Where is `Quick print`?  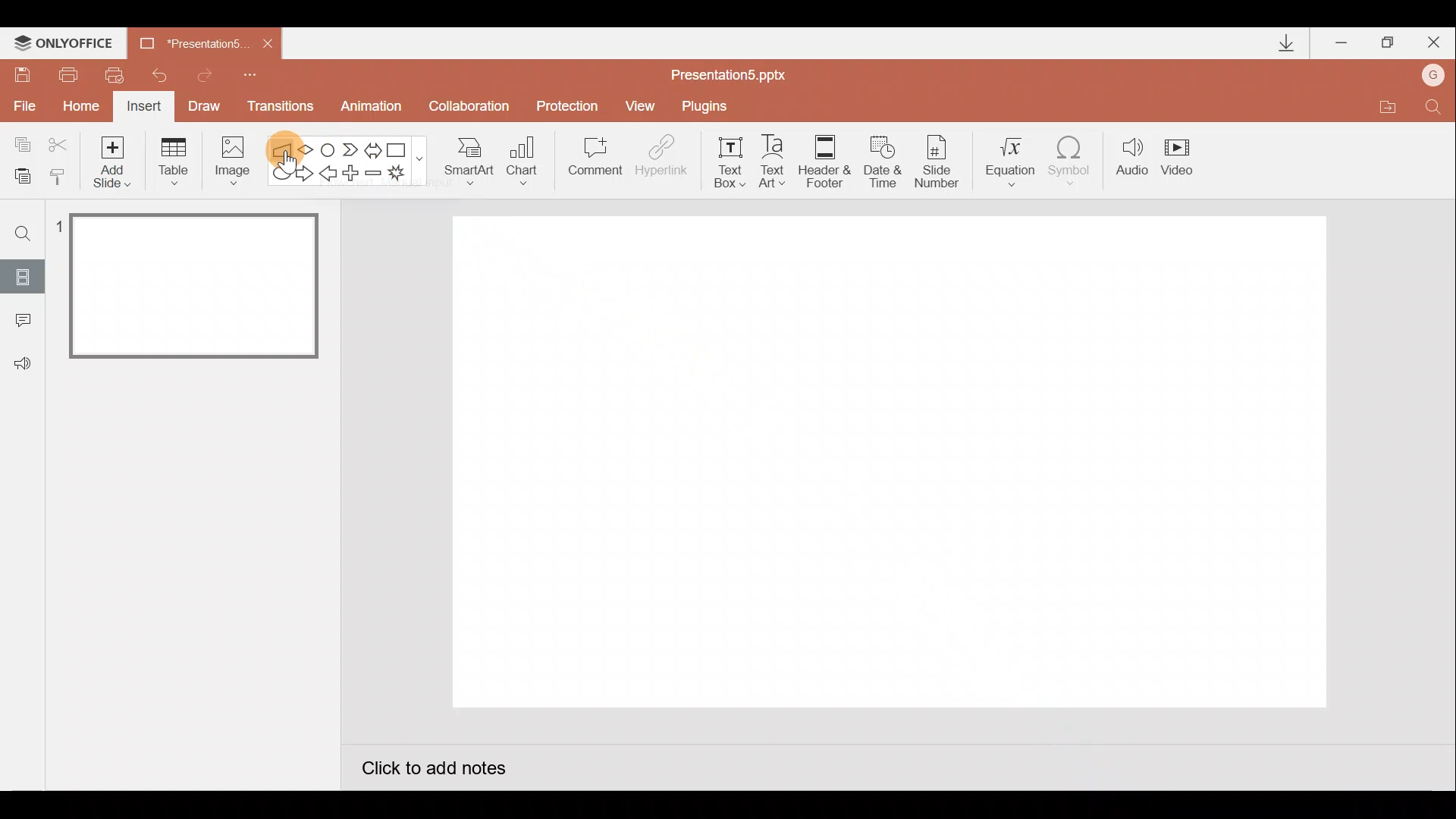 Quick print is located at coordinates (120, 71).